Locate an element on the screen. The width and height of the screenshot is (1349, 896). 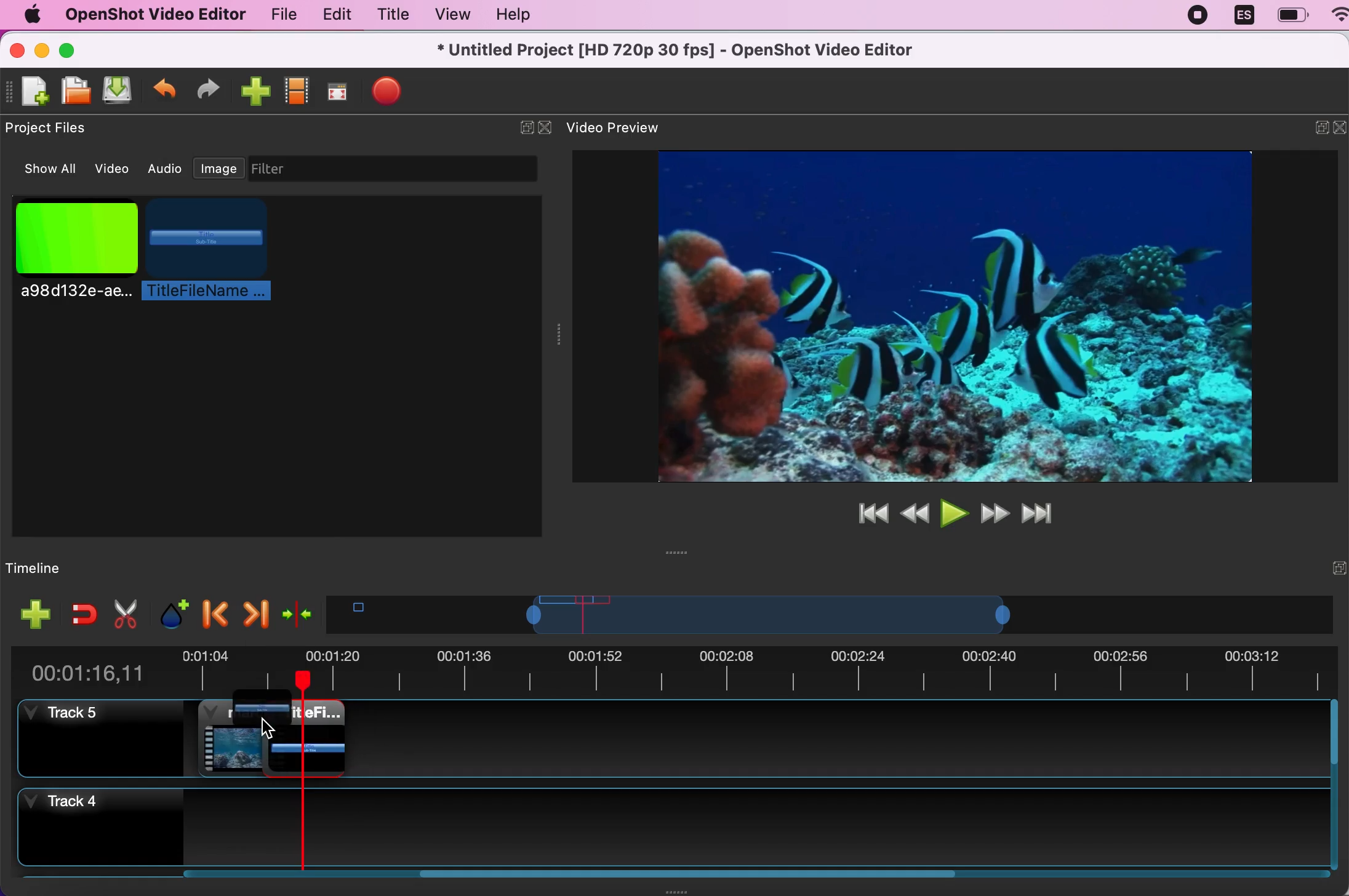
filter is located at coordinates (404, 169).